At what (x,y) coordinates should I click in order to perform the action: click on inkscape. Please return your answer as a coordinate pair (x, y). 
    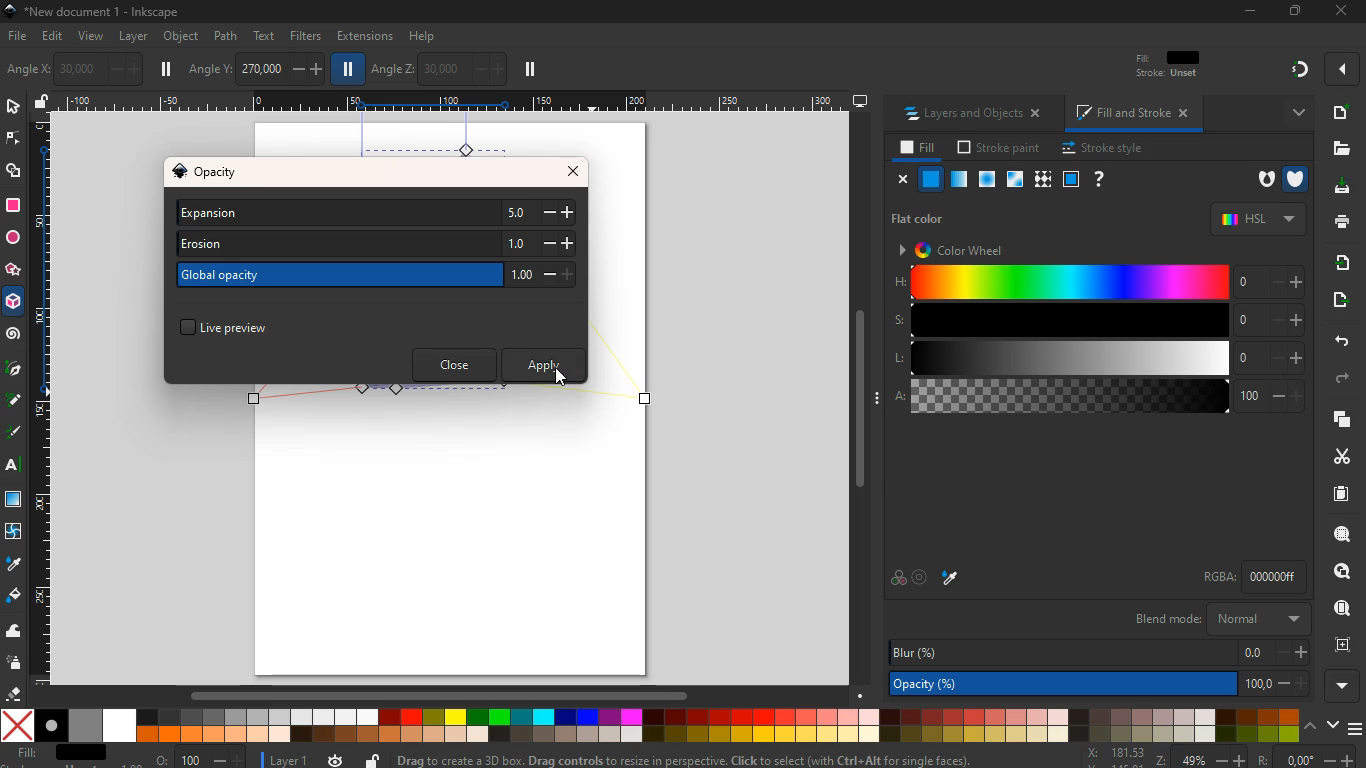
    Looking at the image, I should click on (108, 12).